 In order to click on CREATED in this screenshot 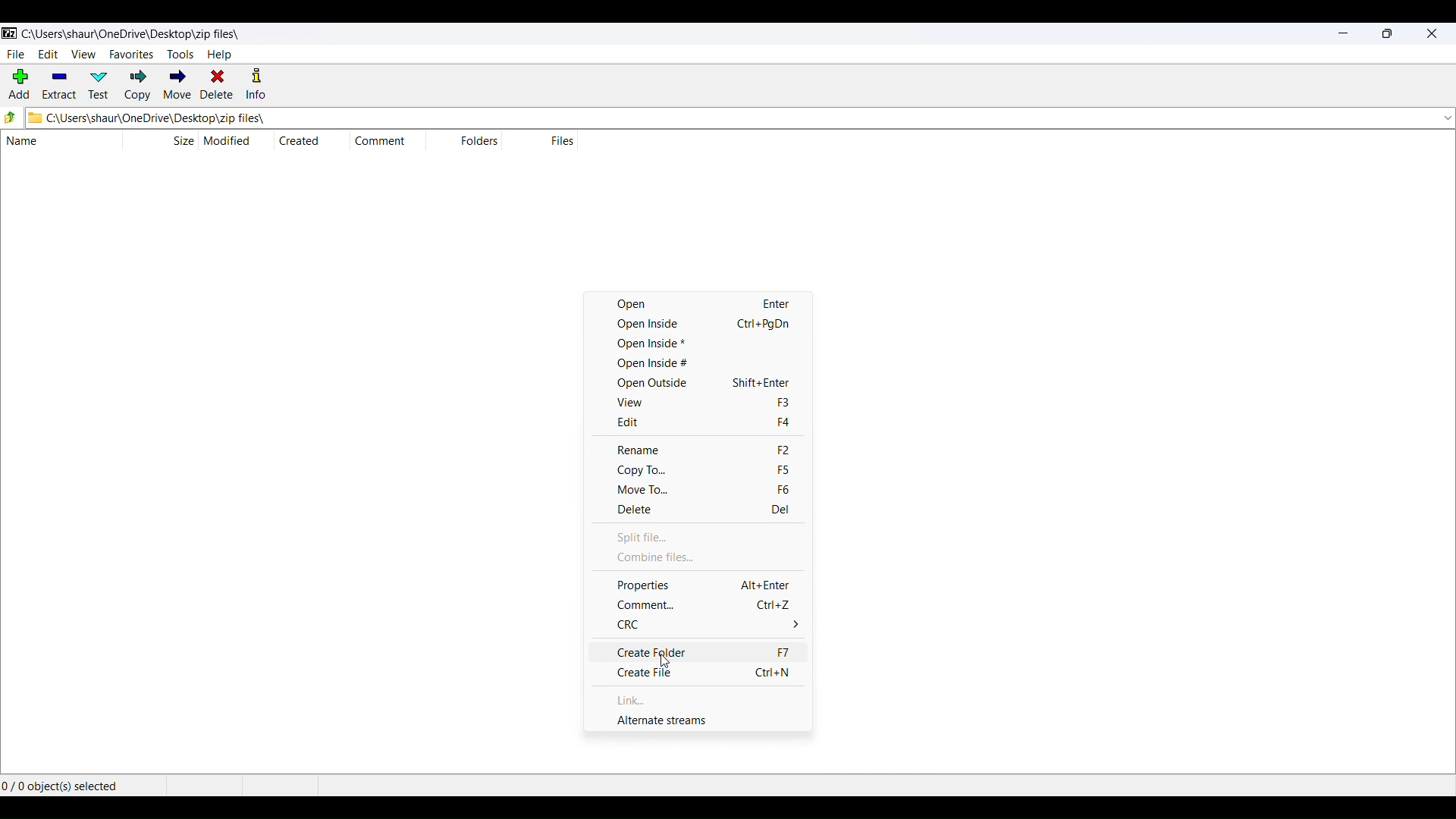, I will do `click(300, 140)`.